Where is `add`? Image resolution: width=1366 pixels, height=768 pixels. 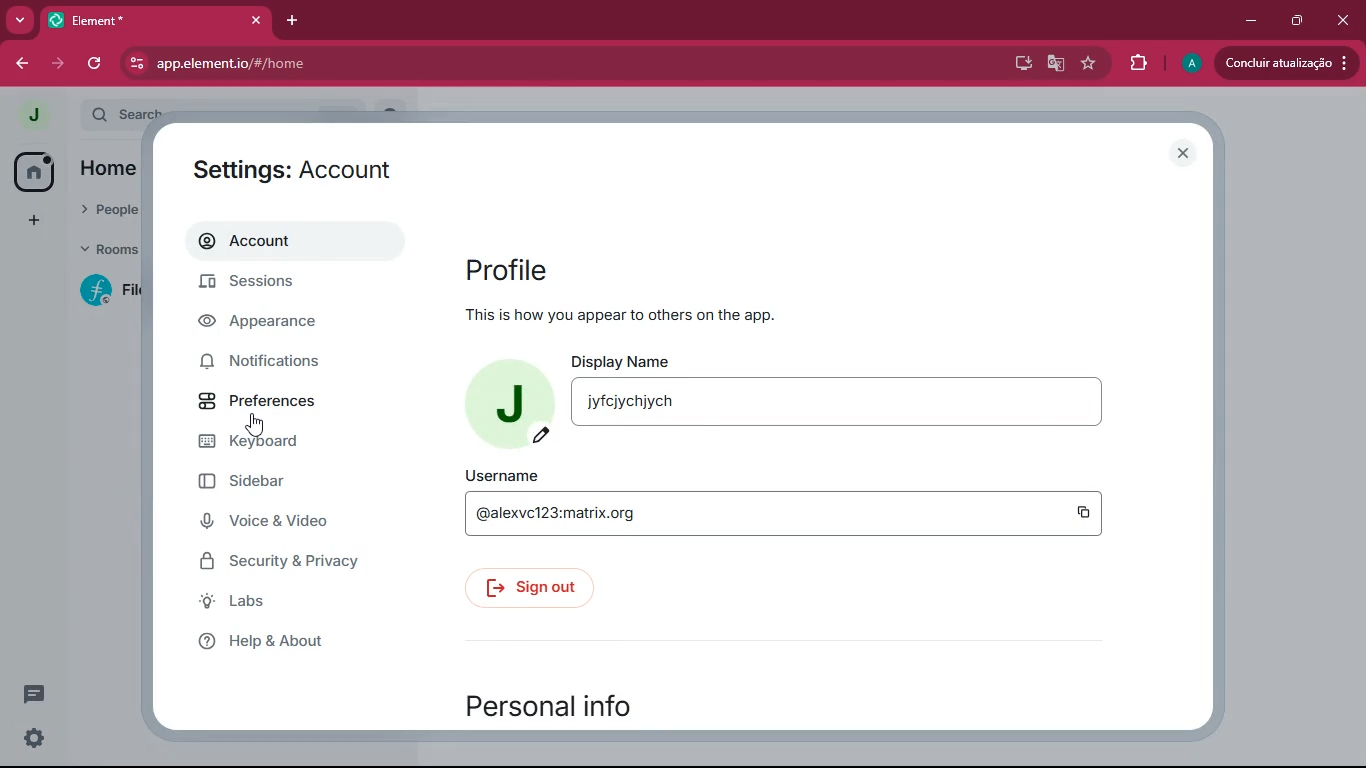
add is located at coordinates (30, 222).